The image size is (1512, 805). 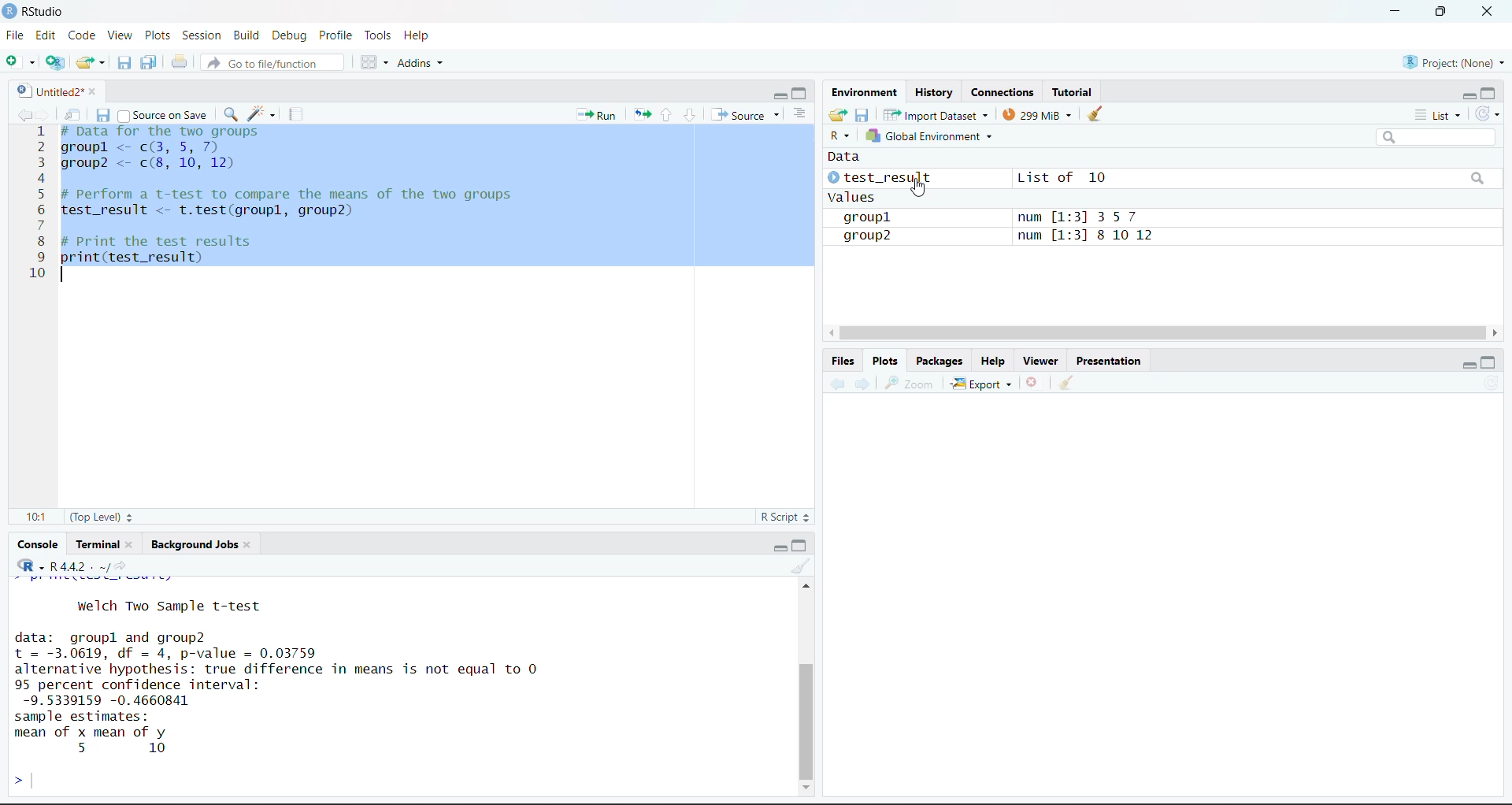 What do you see at coordinates (162, 116) in the screenshot?
I see `source on save` at bounding box center [162, 116].